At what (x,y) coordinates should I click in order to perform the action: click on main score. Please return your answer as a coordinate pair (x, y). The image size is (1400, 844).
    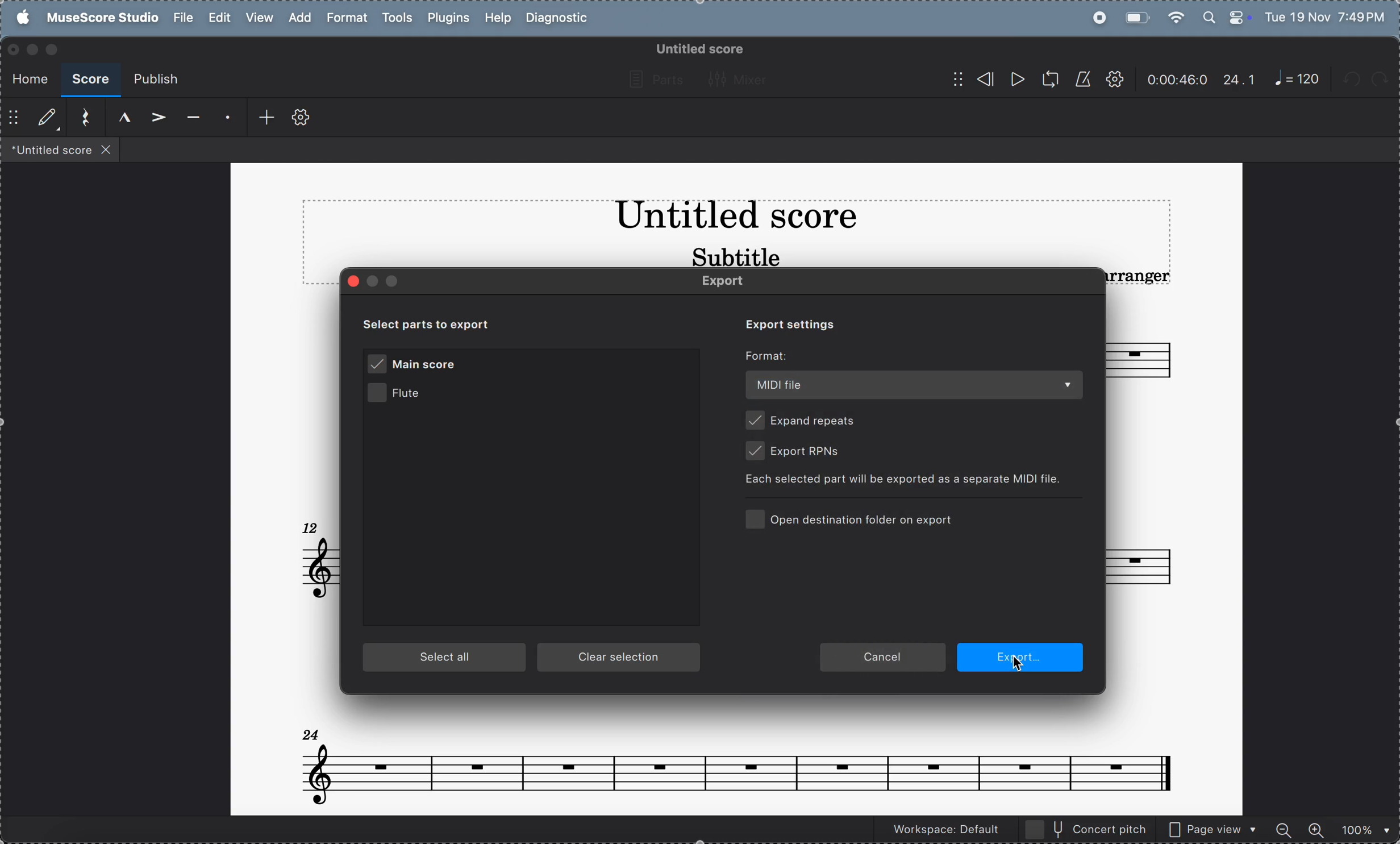
    Looking at the image, I should click on (416, 365).